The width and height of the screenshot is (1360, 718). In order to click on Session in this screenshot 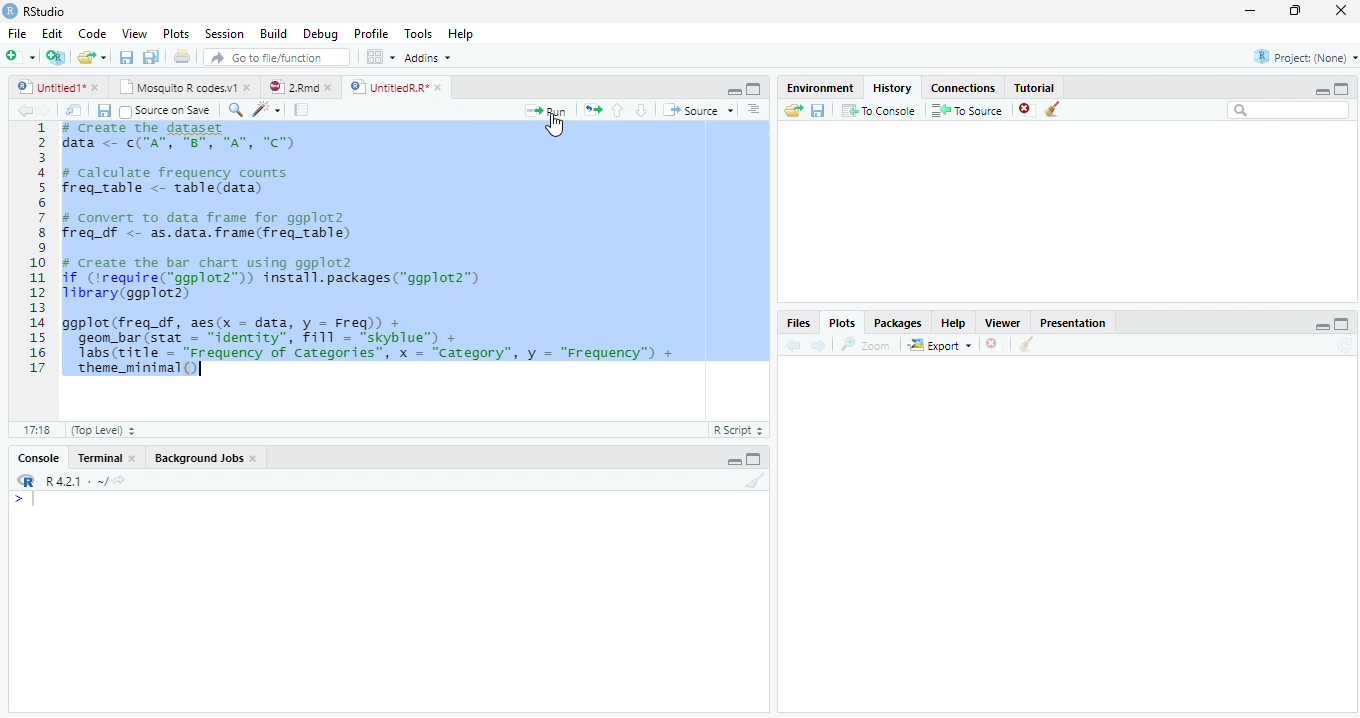, I will do `click(224, 35)`.